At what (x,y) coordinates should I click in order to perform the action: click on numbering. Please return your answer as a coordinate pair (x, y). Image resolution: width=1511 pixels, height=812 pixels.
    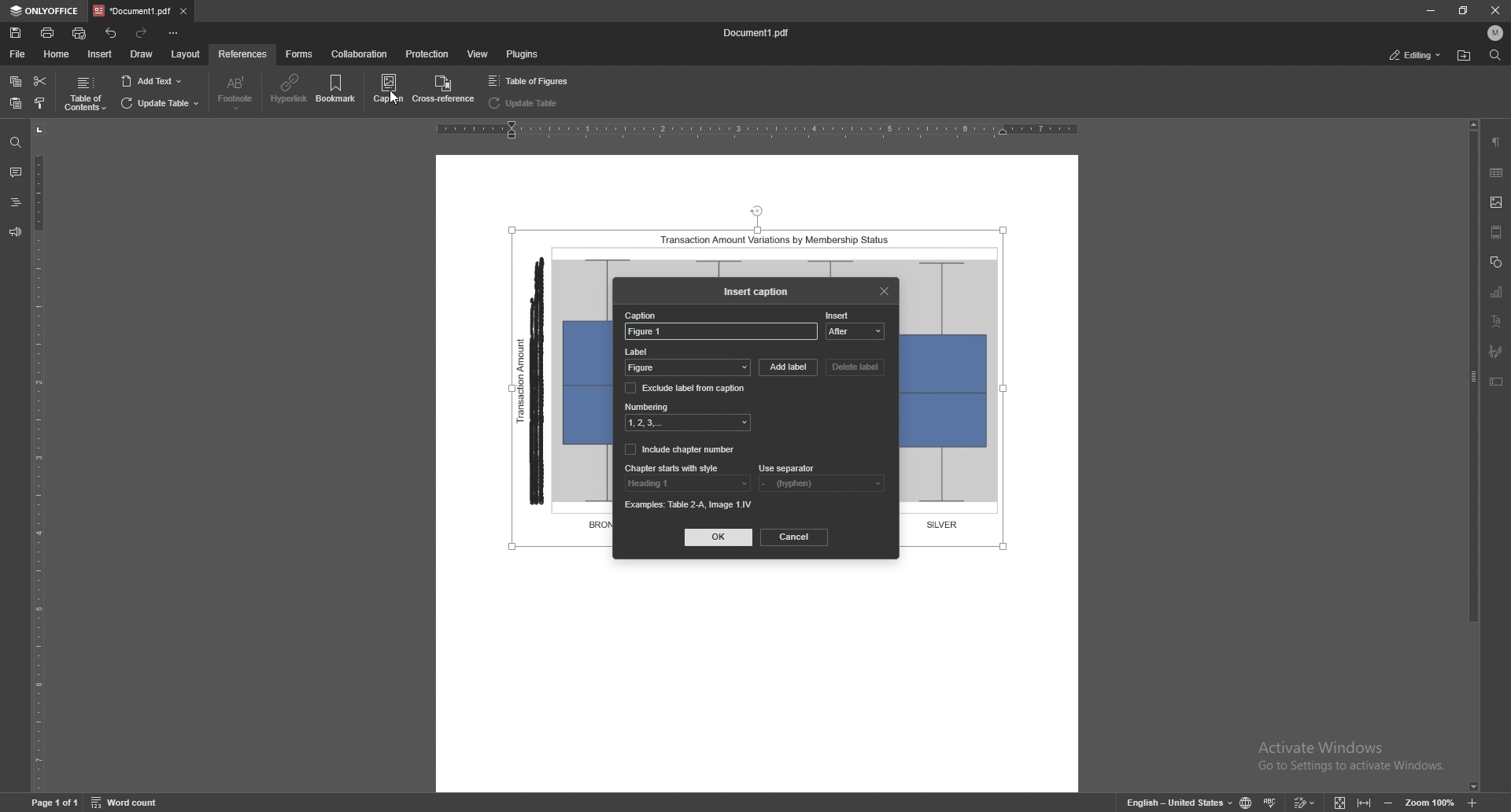
    Looking at the image, I should click on (690, 423).